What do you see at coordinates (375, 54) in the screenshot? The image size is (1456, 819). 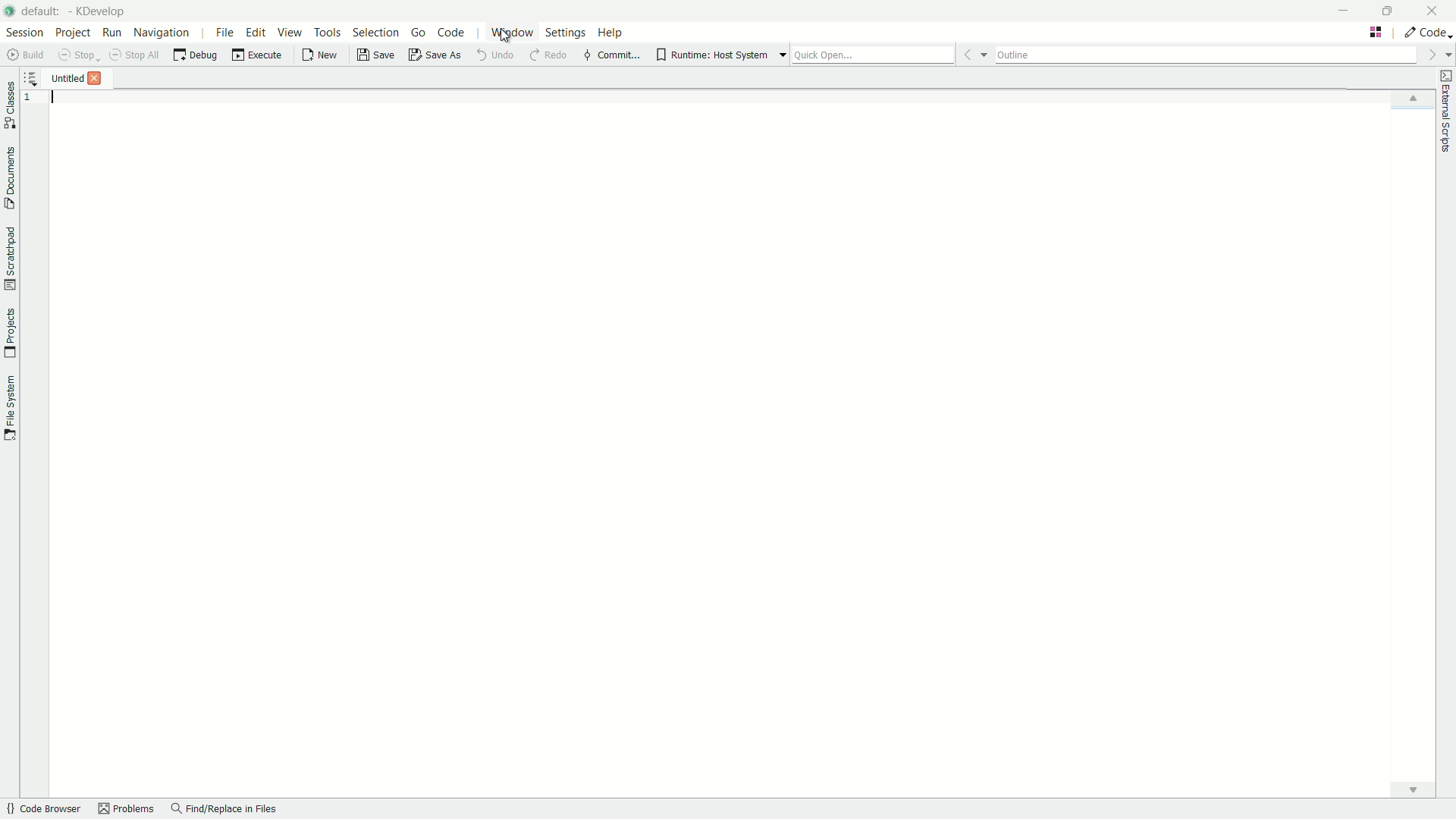 I see `save` at bounding box center [375, 54].